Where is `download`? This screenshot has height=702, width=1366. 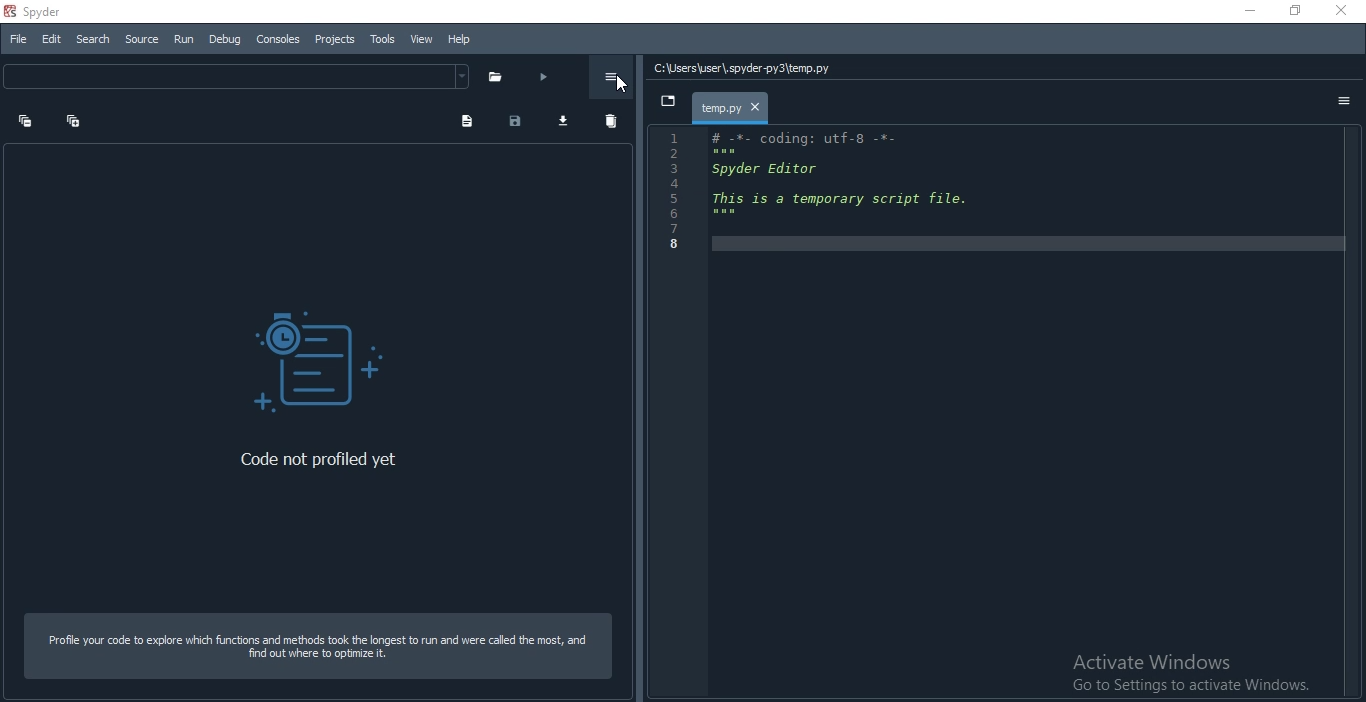
download is located at coordinates (567, 123).